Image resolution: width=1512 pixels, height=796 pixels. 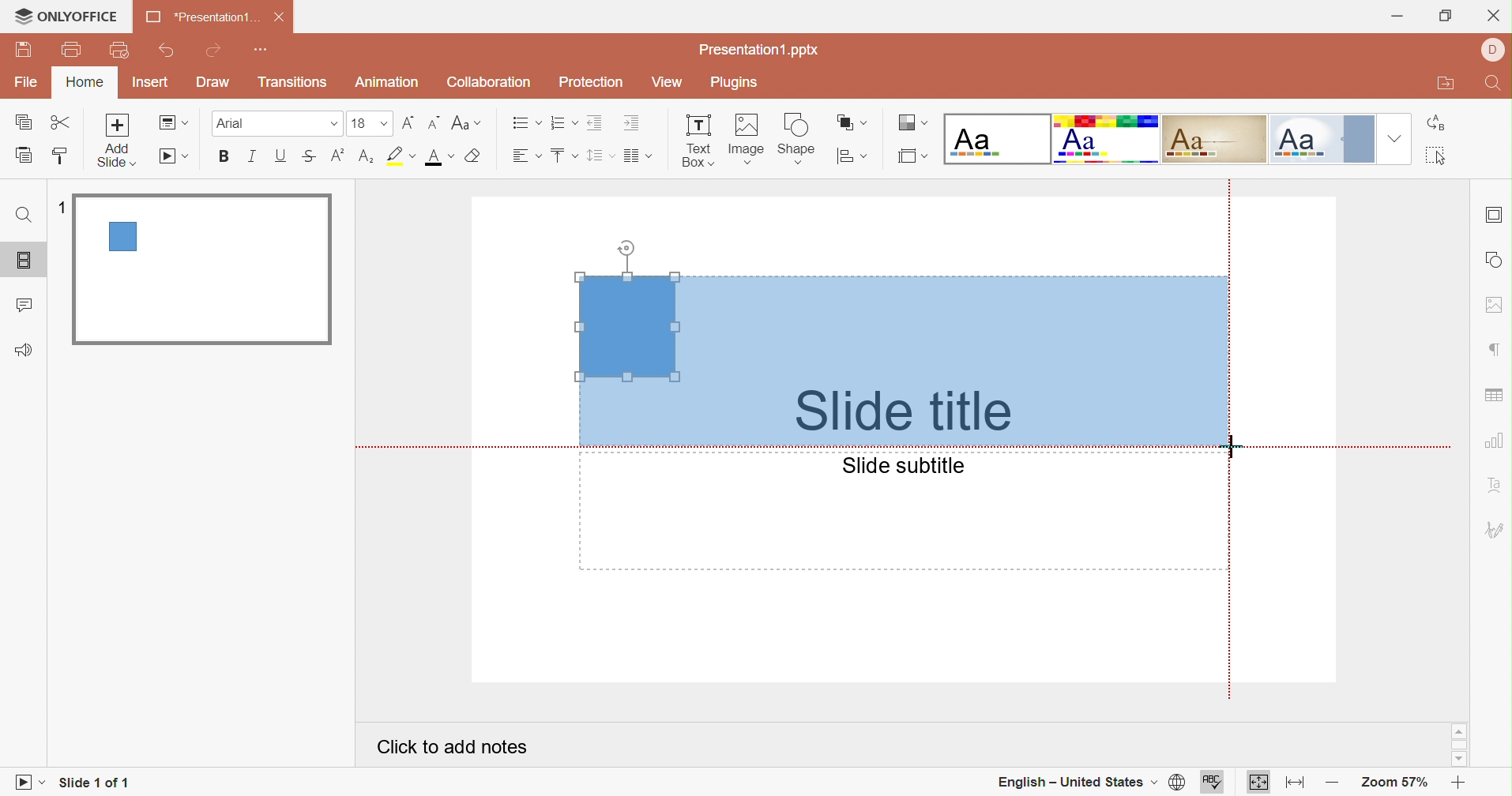 I want to click on Image settings, so click(x=1493, y=306).